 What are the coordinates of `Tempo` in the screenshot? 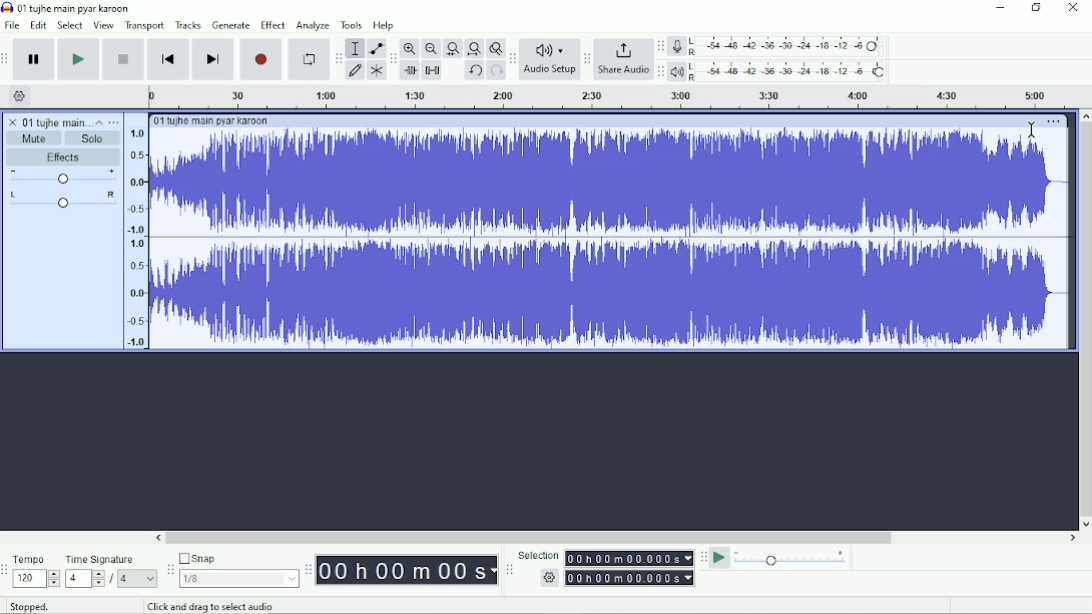 It's located at (37, 557).